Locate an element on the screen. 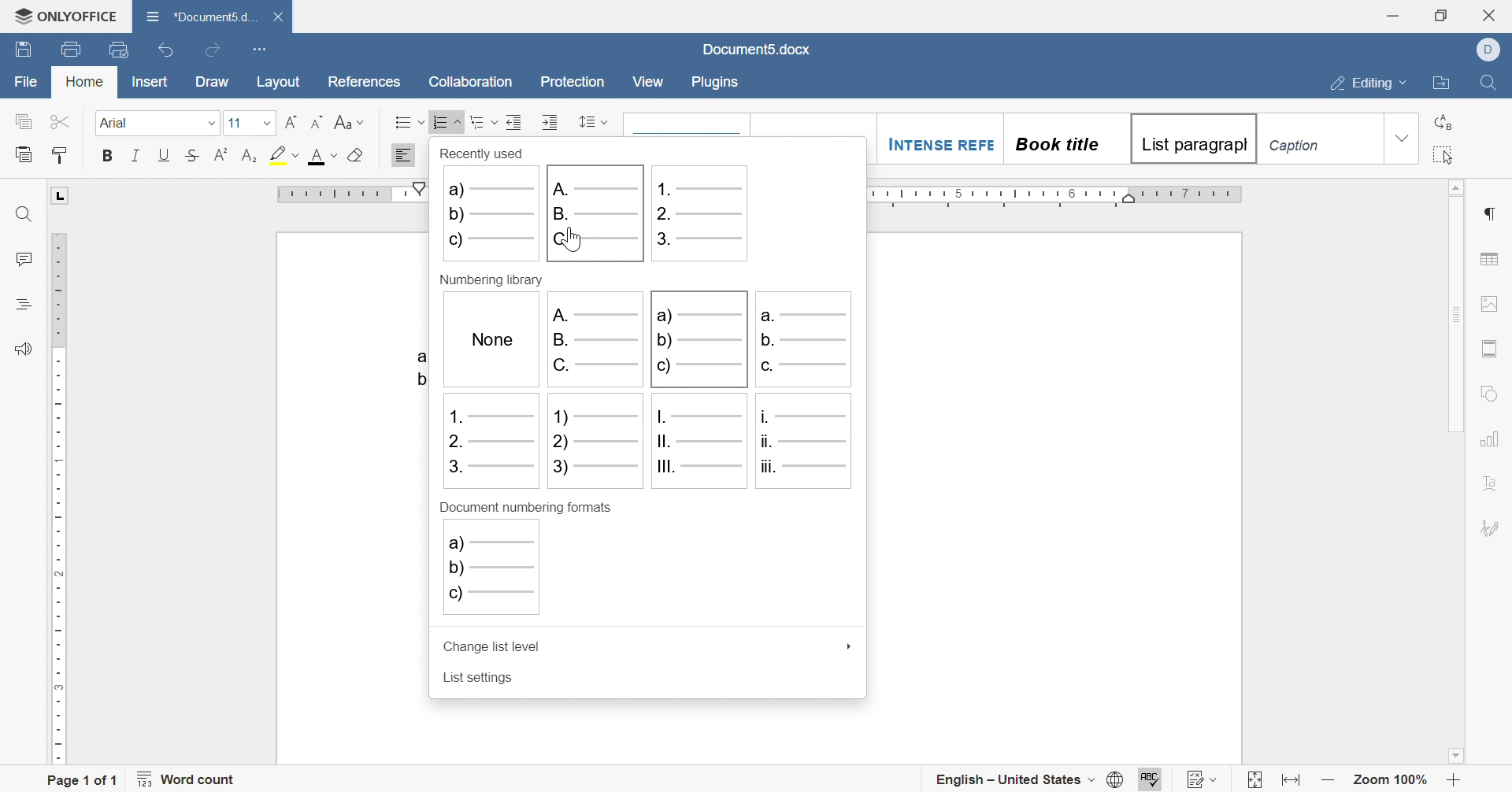 The width and height of the screenshot is (1512, 792). Ruler is located at coordinates (349, 191).